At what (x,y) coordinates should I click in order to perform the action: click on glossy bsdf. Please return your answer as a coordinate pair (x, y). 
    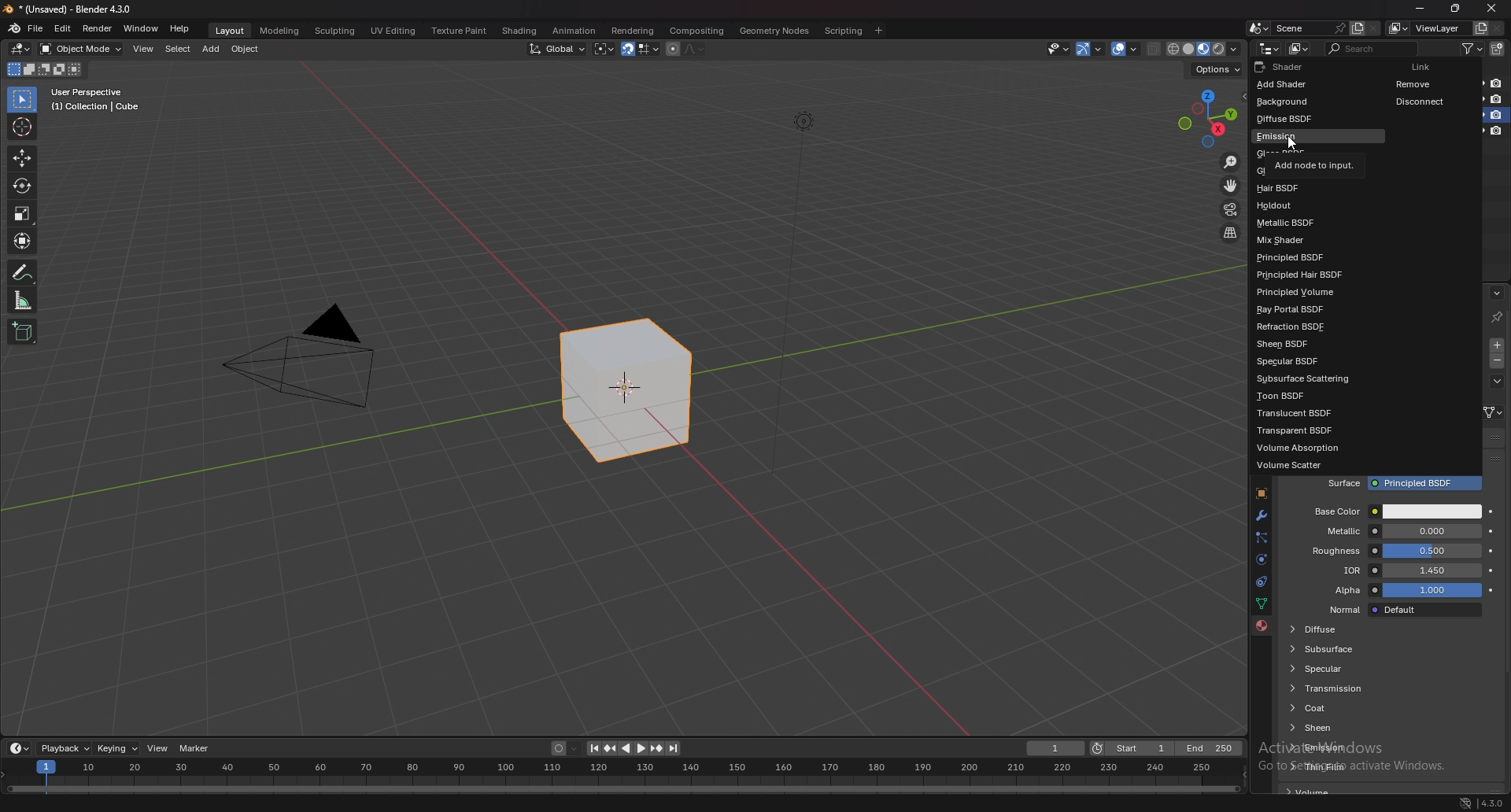
    Looking at the image, I should click on (1305, 169).